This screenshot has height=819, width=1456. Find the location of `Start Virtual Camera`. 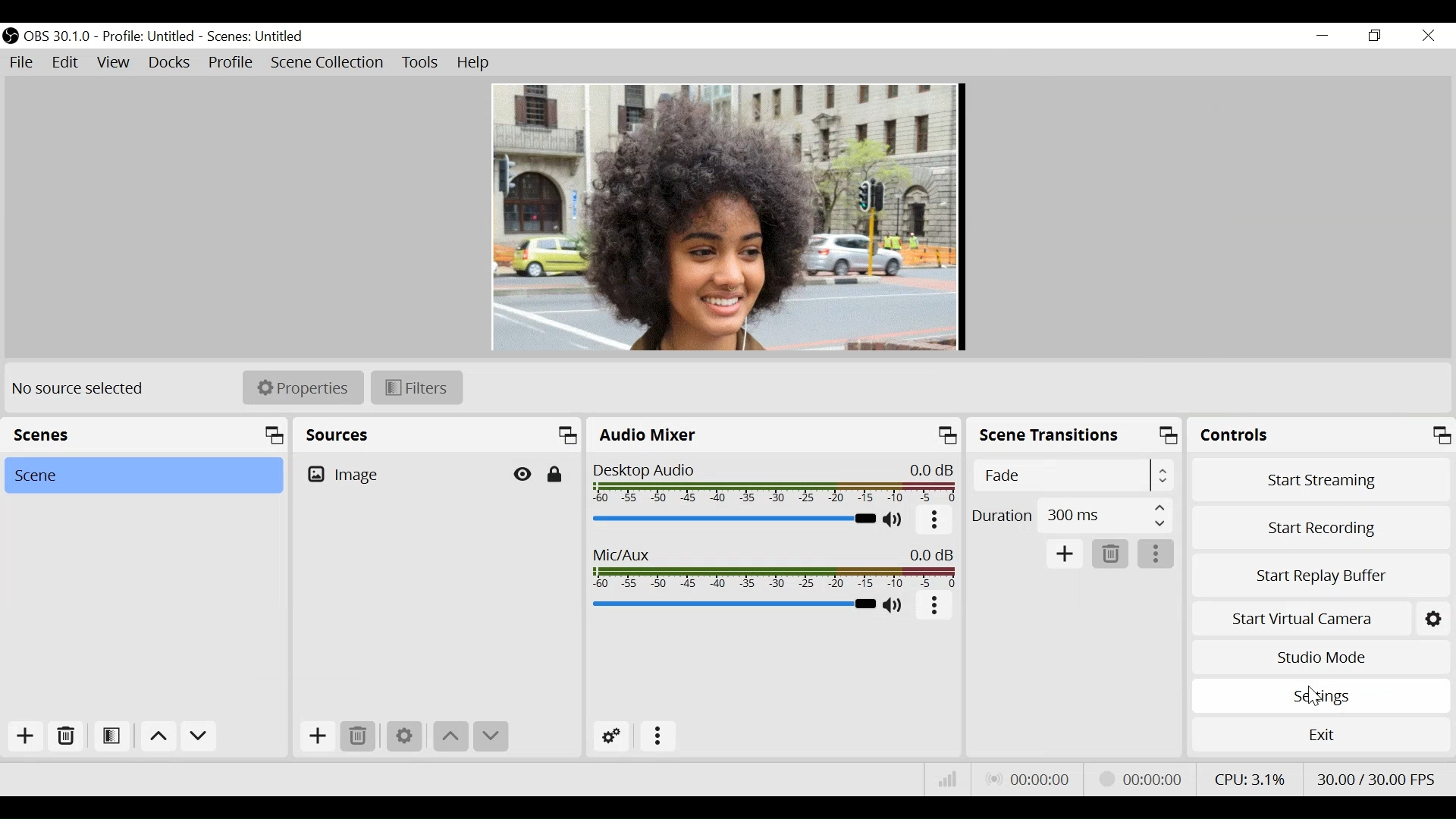

Start Virtual Camera is located at coordinates (1300, 617).